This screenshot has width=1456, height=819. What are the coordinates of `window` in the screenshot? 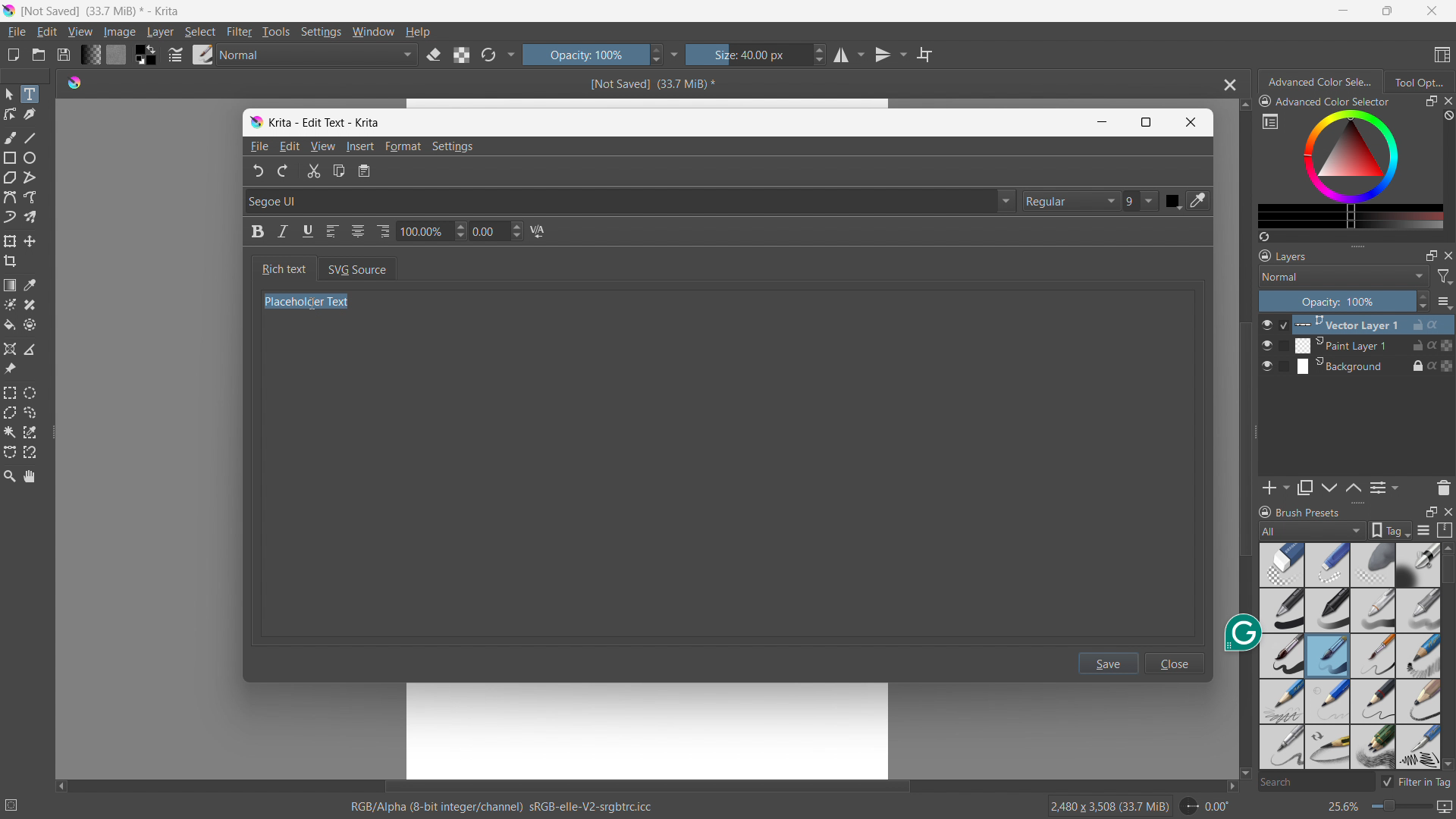 It's located at (373, 32).